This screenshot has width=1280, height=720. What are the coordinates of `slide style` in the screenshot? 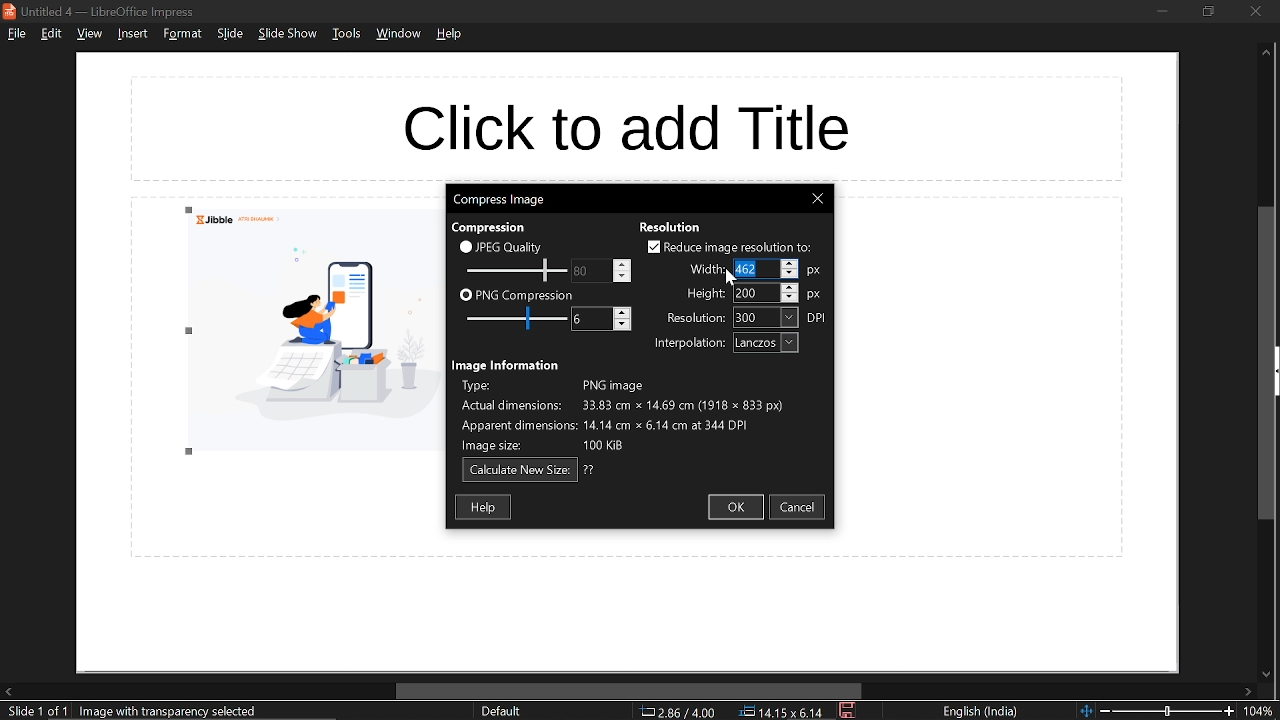 It's located at (501, 711).